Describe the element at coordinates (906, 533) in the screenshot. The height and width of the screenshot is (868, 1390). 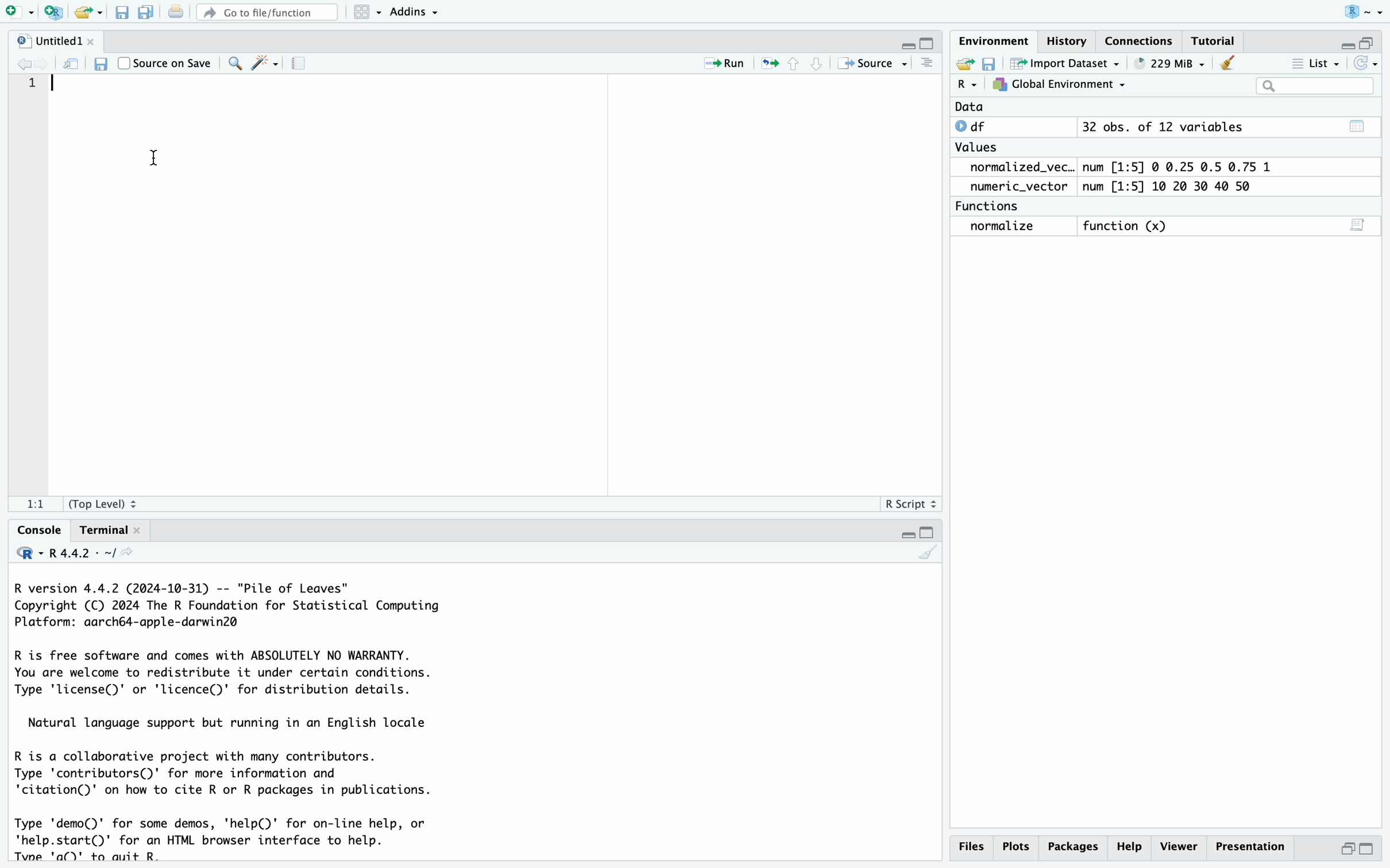
I see `minimize` at that location.